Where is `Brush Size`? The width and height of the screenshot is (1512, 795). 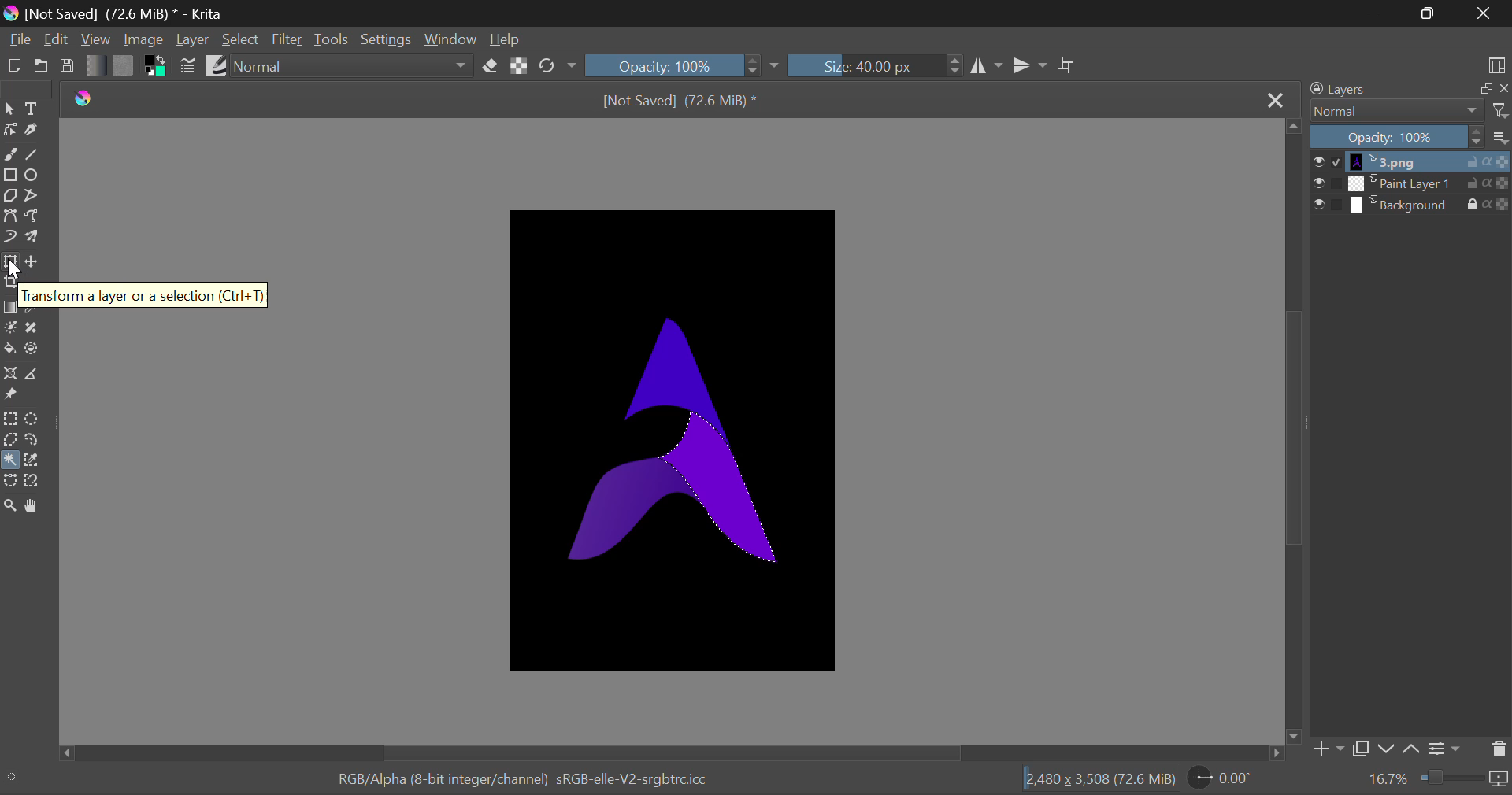
Brush Size is located at coordinates (875, 66).